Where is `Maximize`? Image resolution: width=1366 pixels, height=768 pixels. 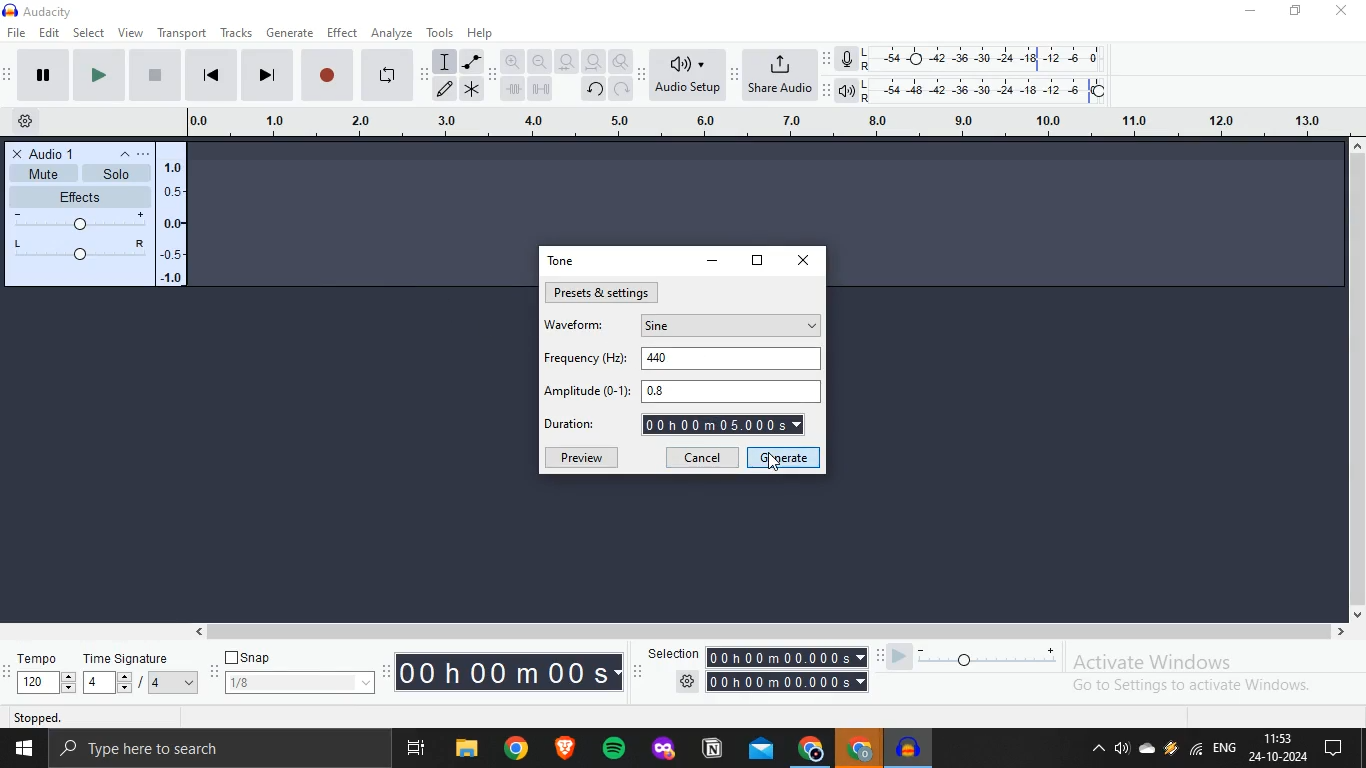
Maximize is located at coordinates (1299, 13).